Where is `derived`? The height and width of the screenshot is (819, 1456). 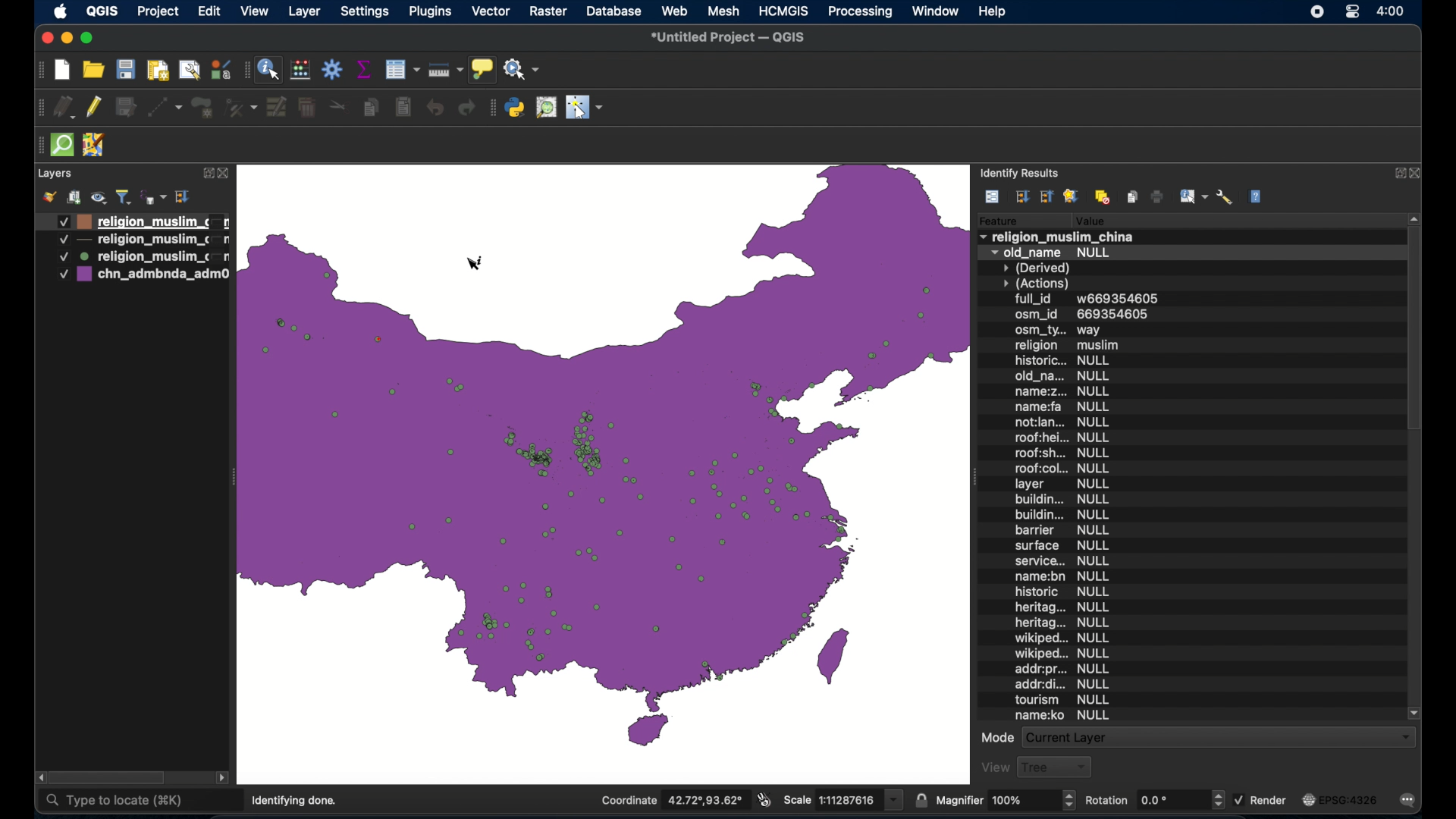 derived is located at coordinates (1040, 268).